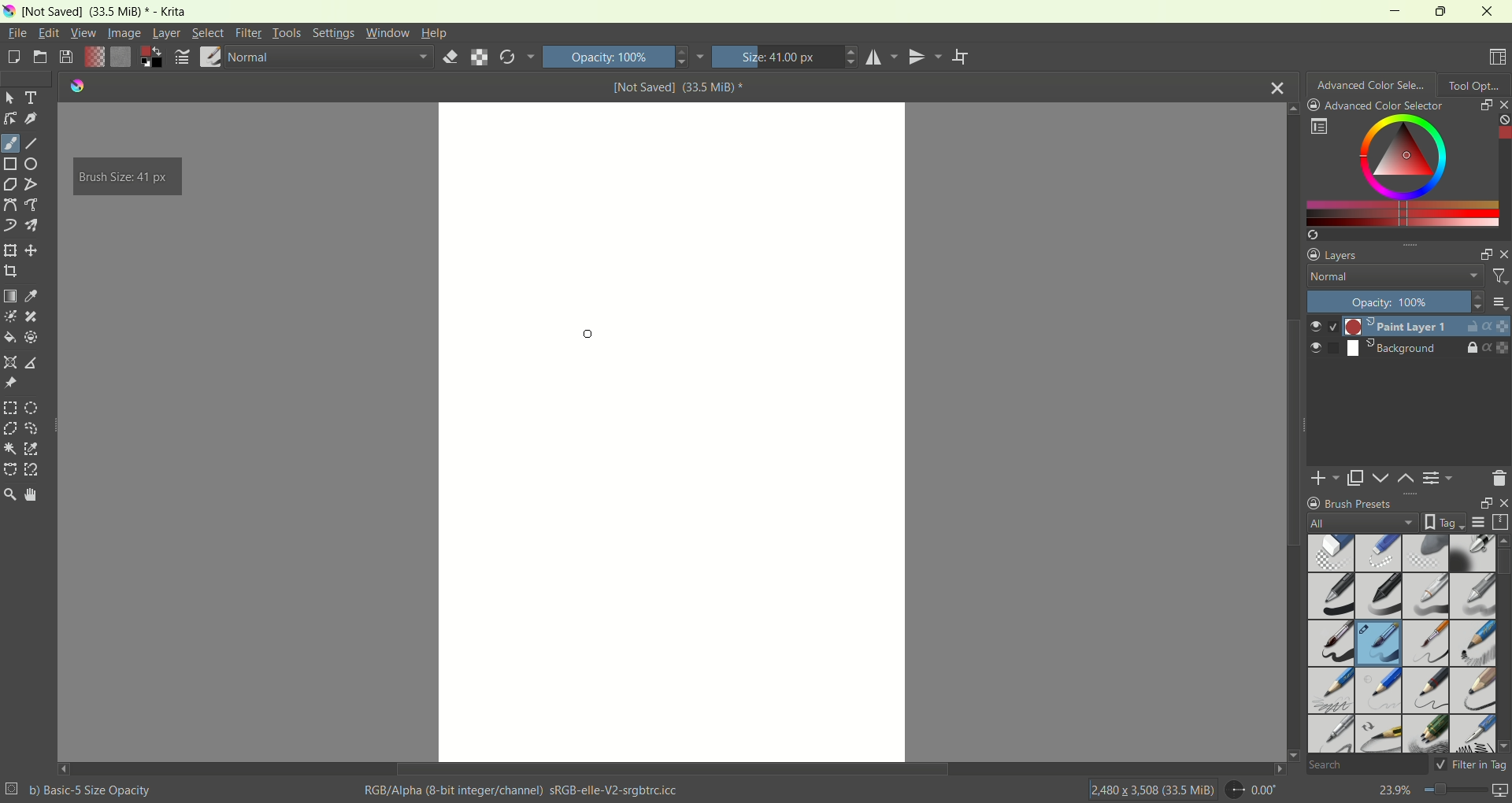 The height and width of the screenshot is (803, 1512). I want to click on ellipse, so click(35, 164).